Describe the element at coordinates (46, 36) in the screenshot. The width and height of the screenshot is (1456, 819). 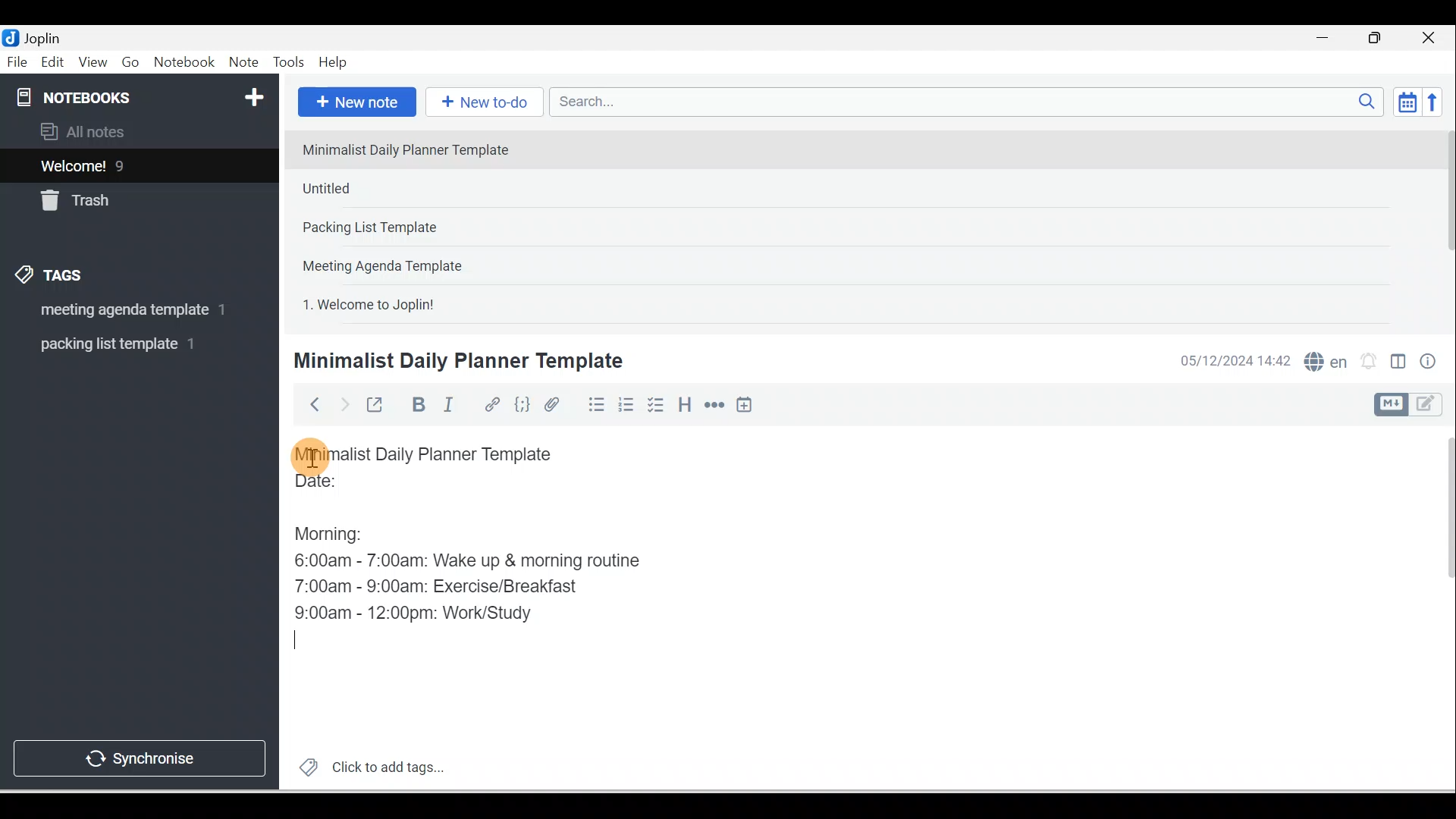
I see `Joplin` at that location.